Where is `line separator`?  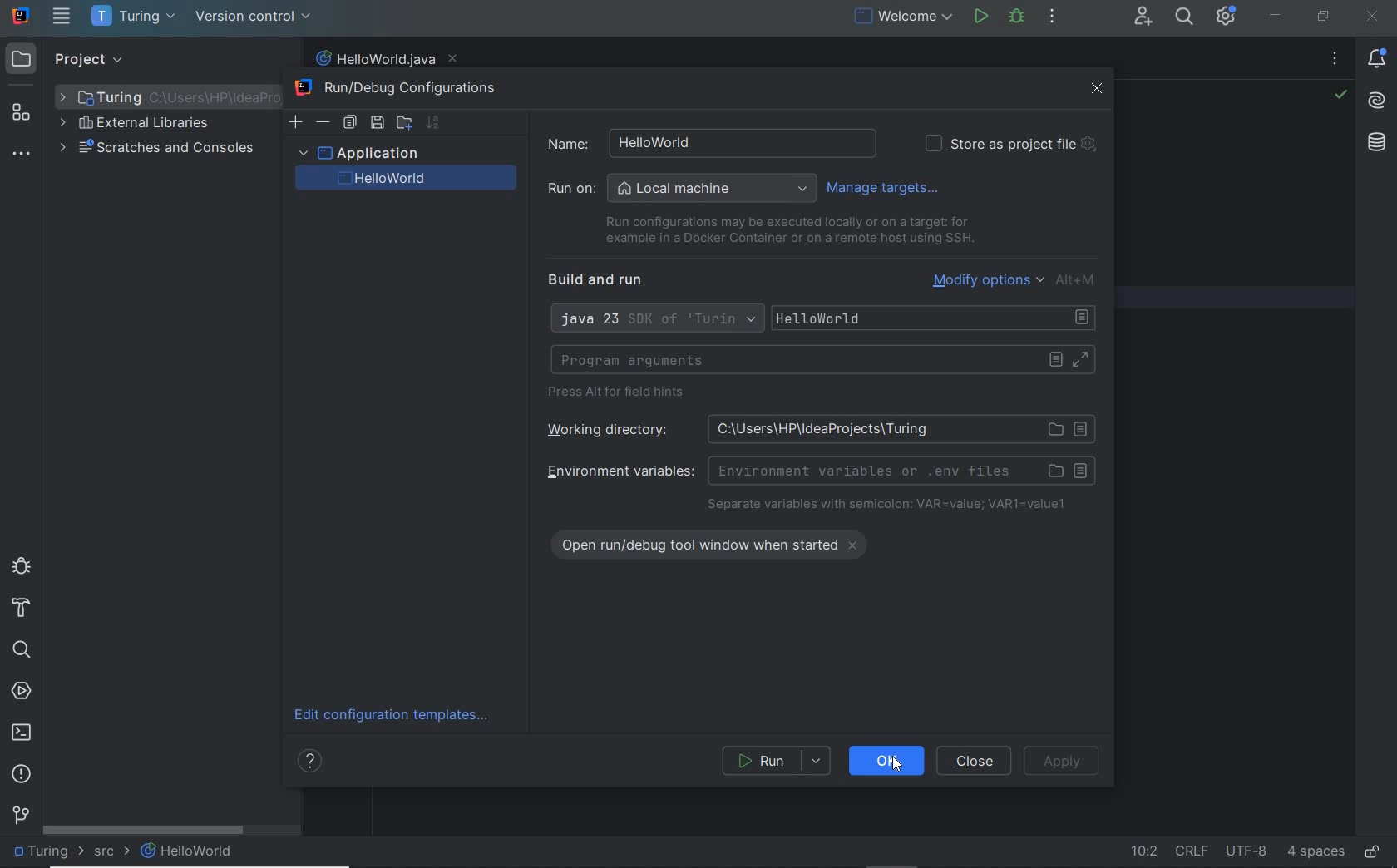
line separator is located at coordinates (1192, 851).